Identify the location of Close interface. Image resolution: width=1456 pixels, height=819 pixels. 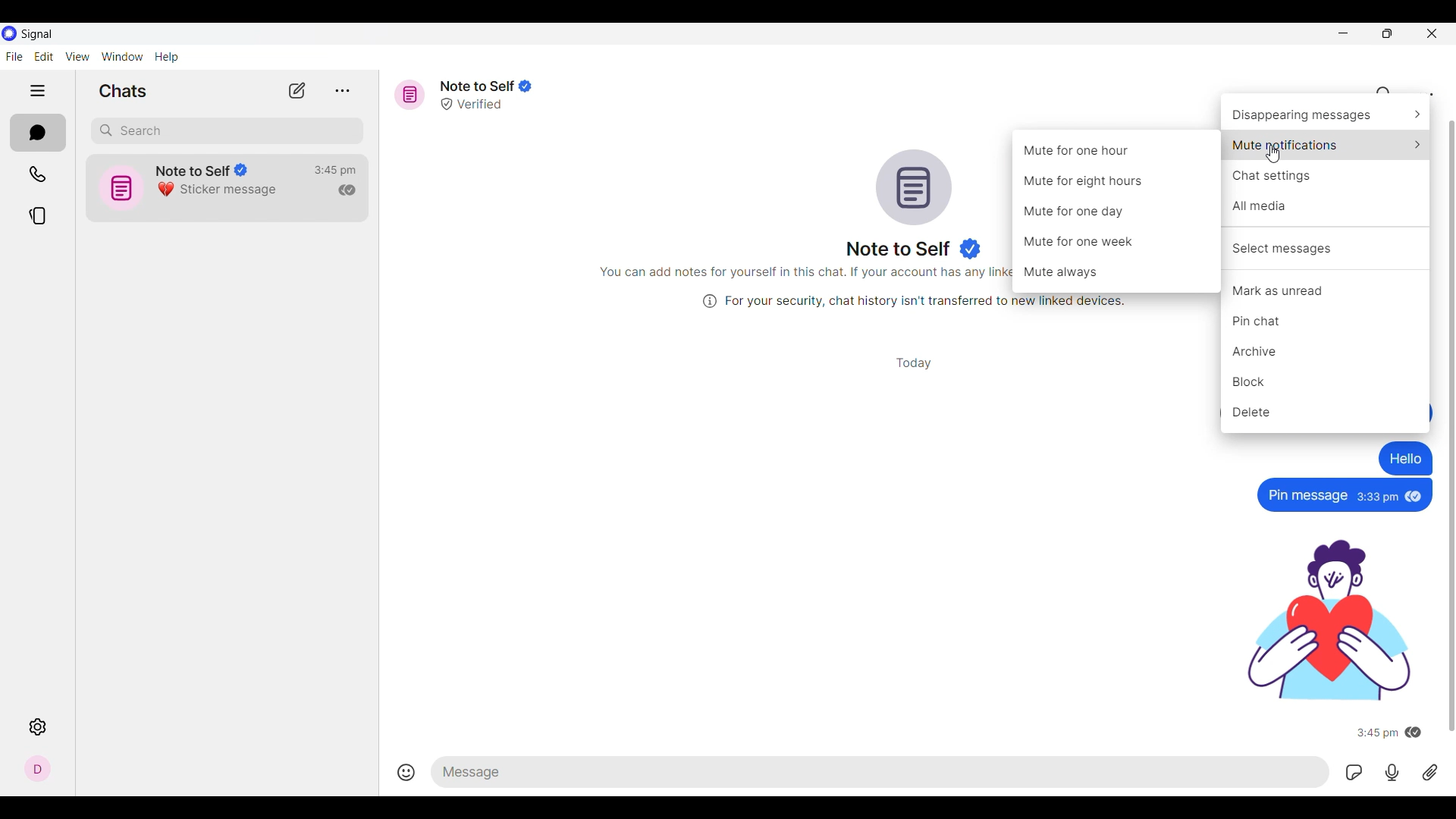
(1432, 34).